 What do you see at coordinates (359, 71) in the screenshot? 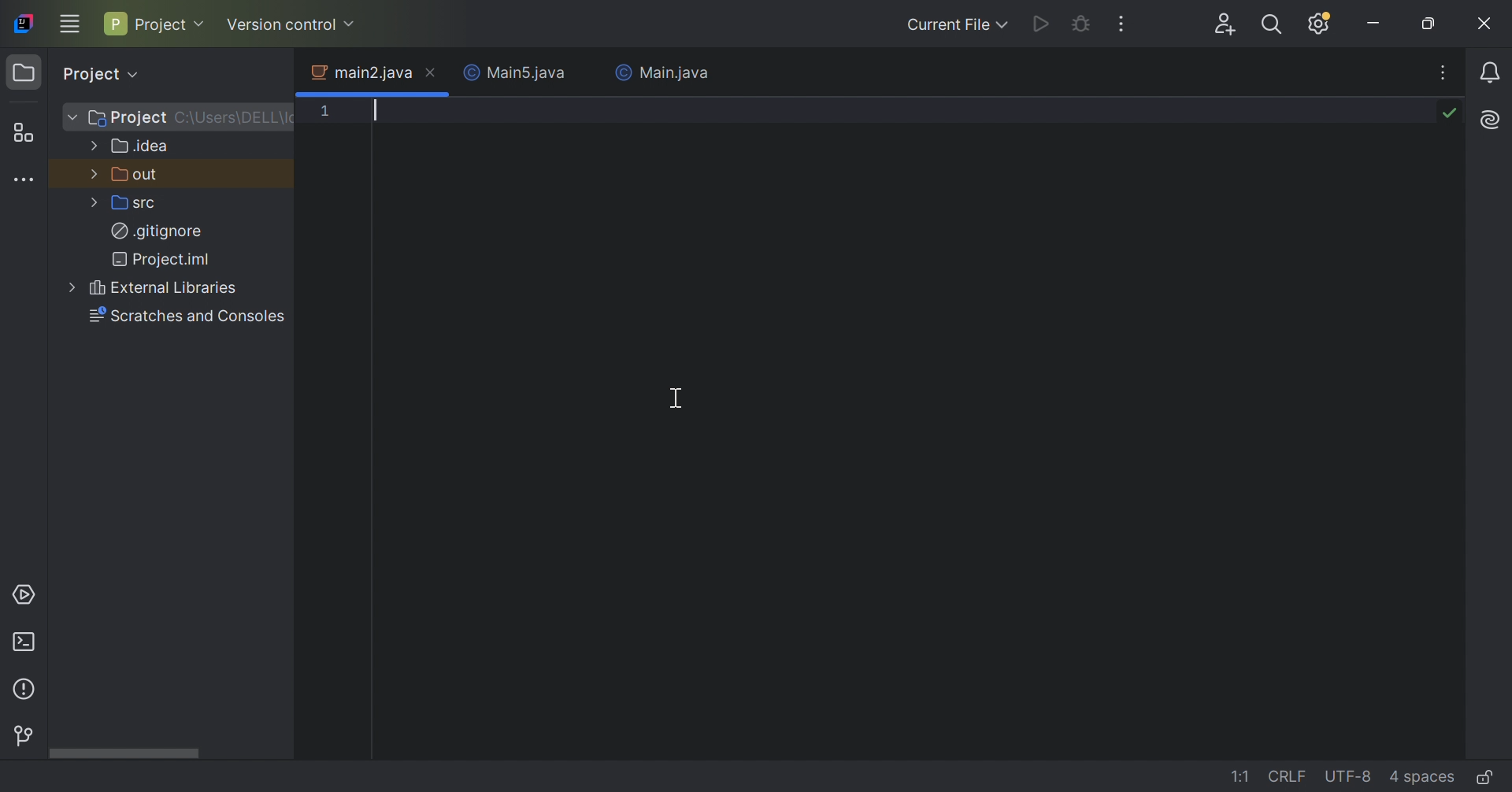
I see `main2.java` at bounding box center [359, 71].